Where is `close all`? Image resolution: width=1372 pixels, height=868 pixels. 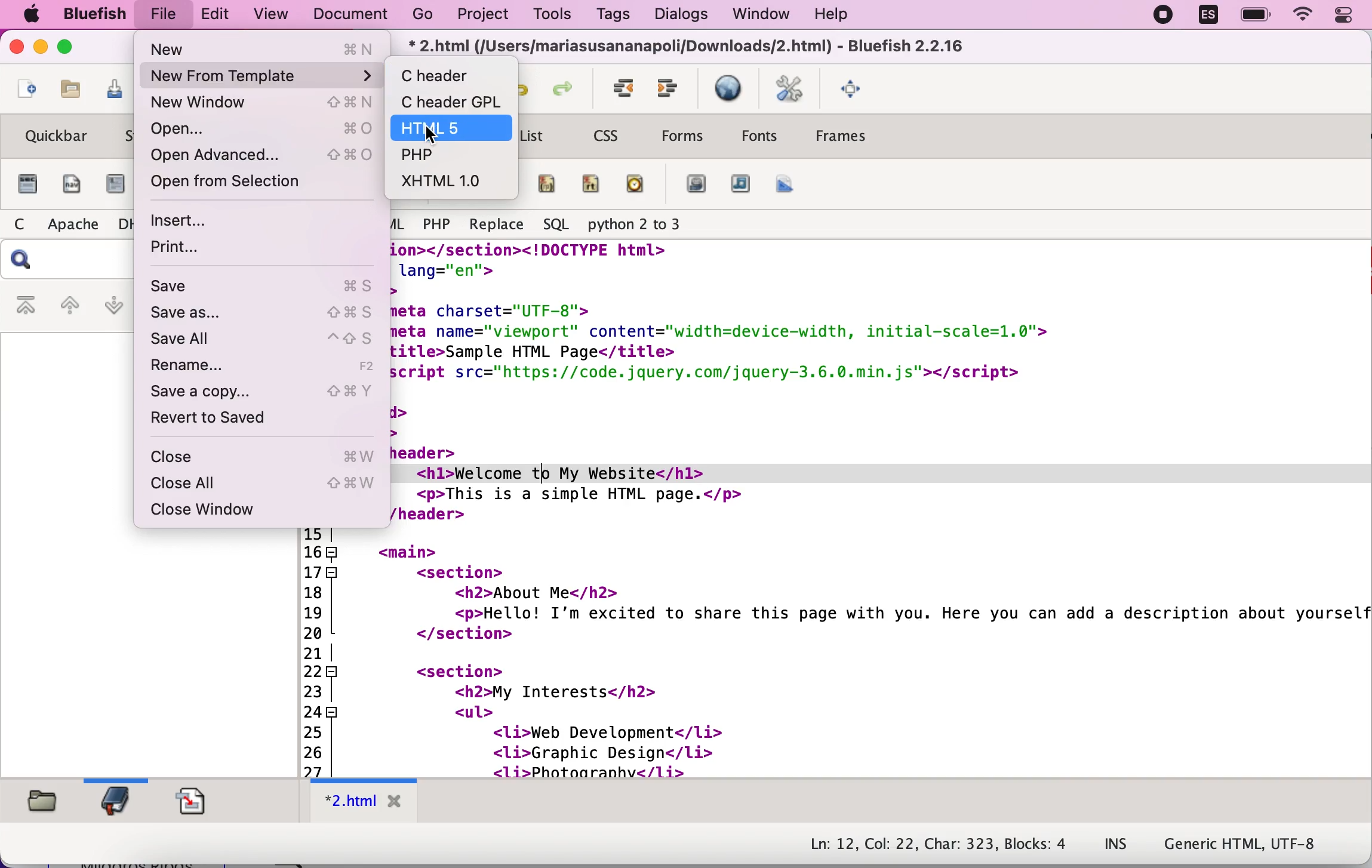 close all is located at coordinates (267, 484).